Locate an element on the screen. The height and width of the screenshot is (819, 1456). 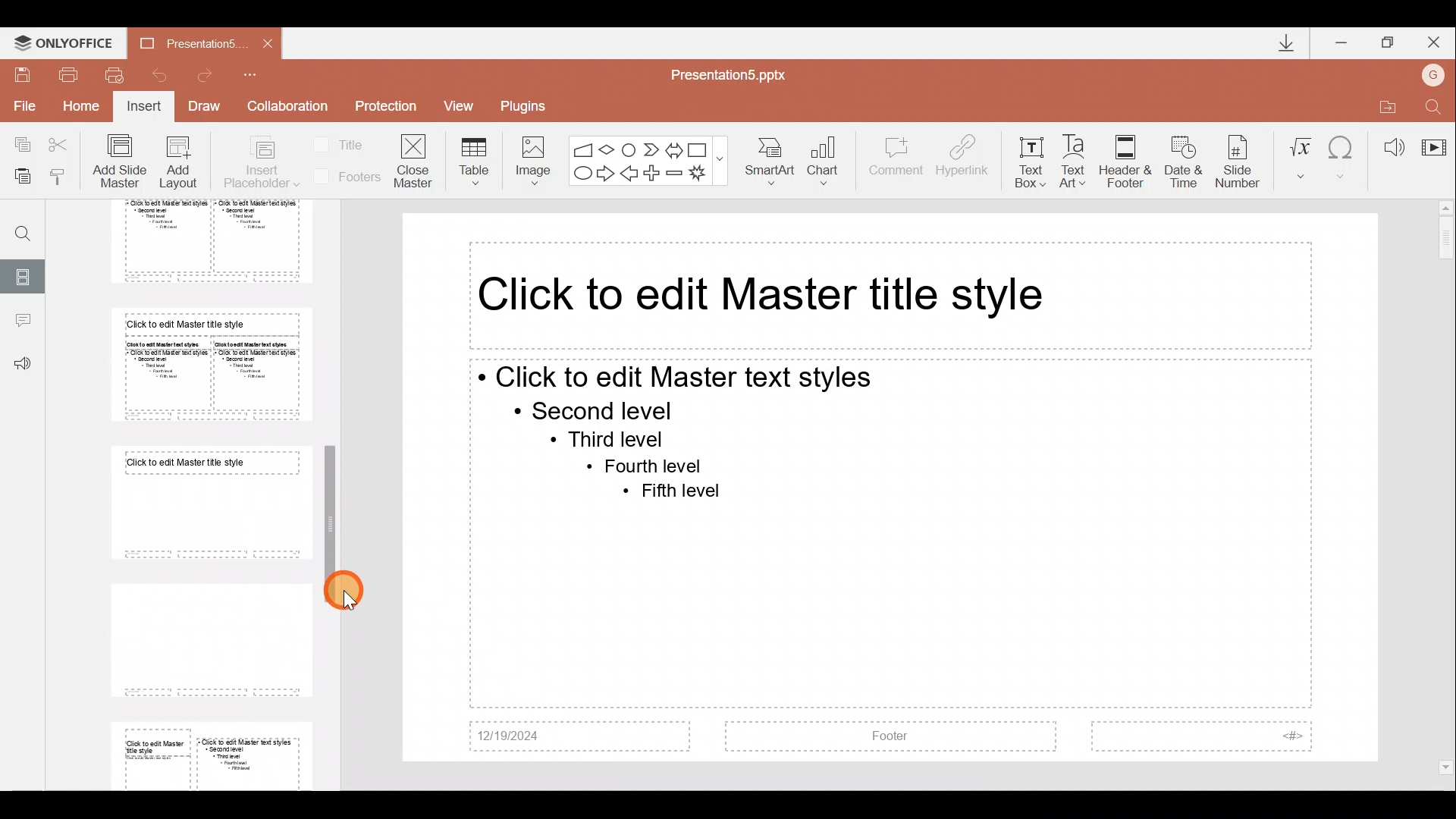
Protection is located at coordinates (385, 108).